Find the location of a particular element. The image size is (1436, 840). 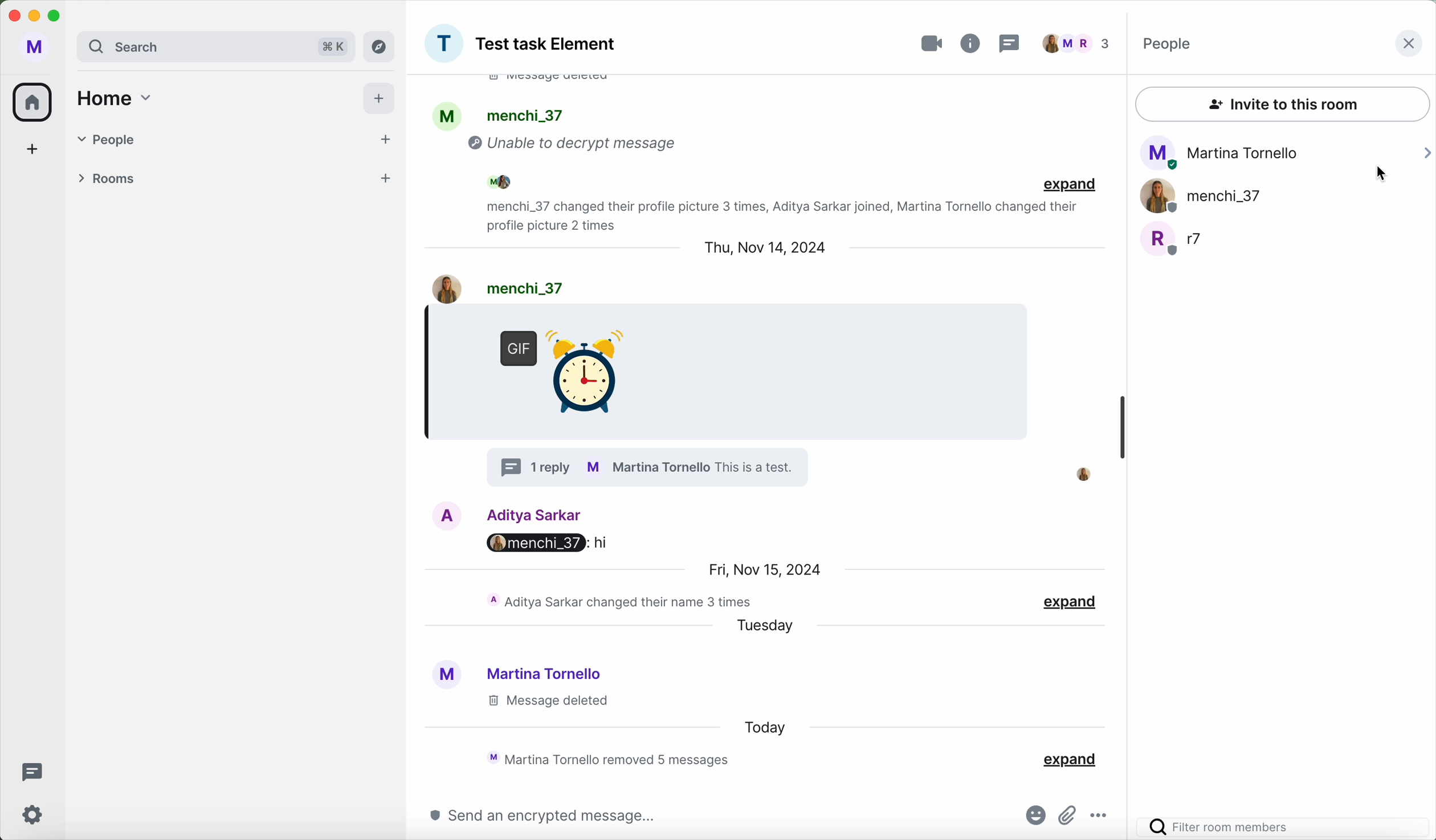

people is located at coordinates (1171, 44).